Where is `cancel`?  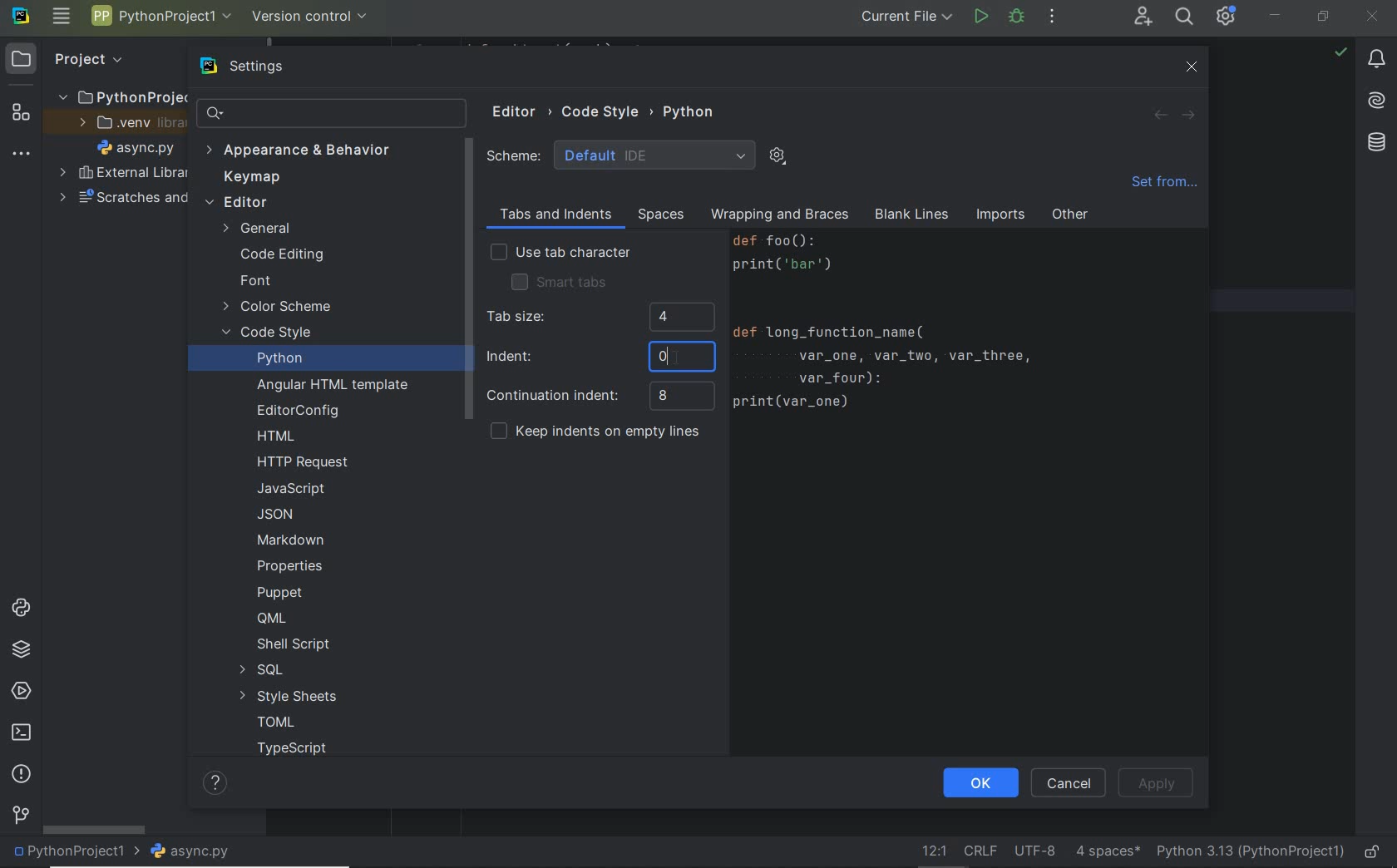
cancel is located at coordinates (1069, 784).